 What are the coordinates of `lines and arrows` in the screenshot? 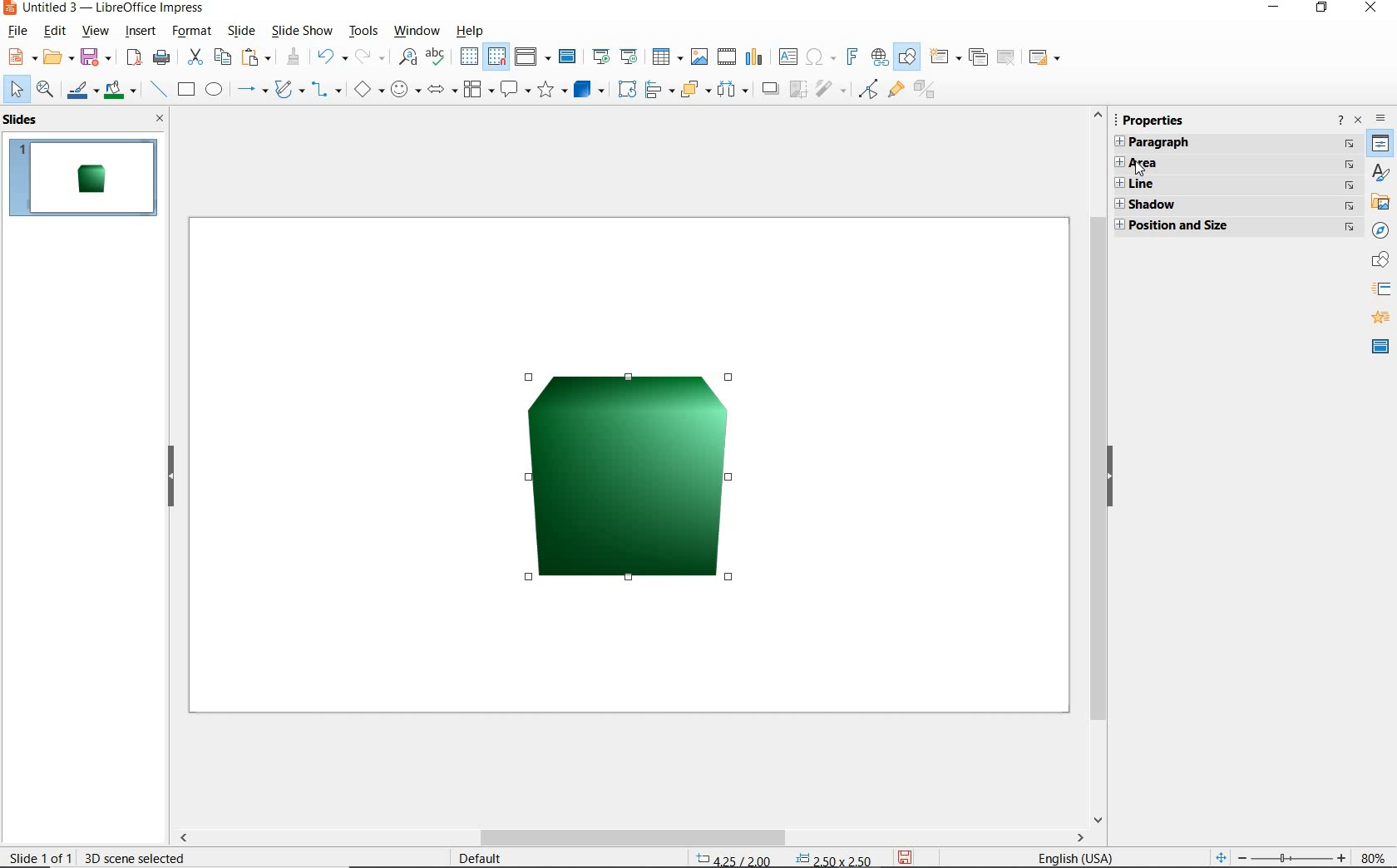 It's located at (252, 90).